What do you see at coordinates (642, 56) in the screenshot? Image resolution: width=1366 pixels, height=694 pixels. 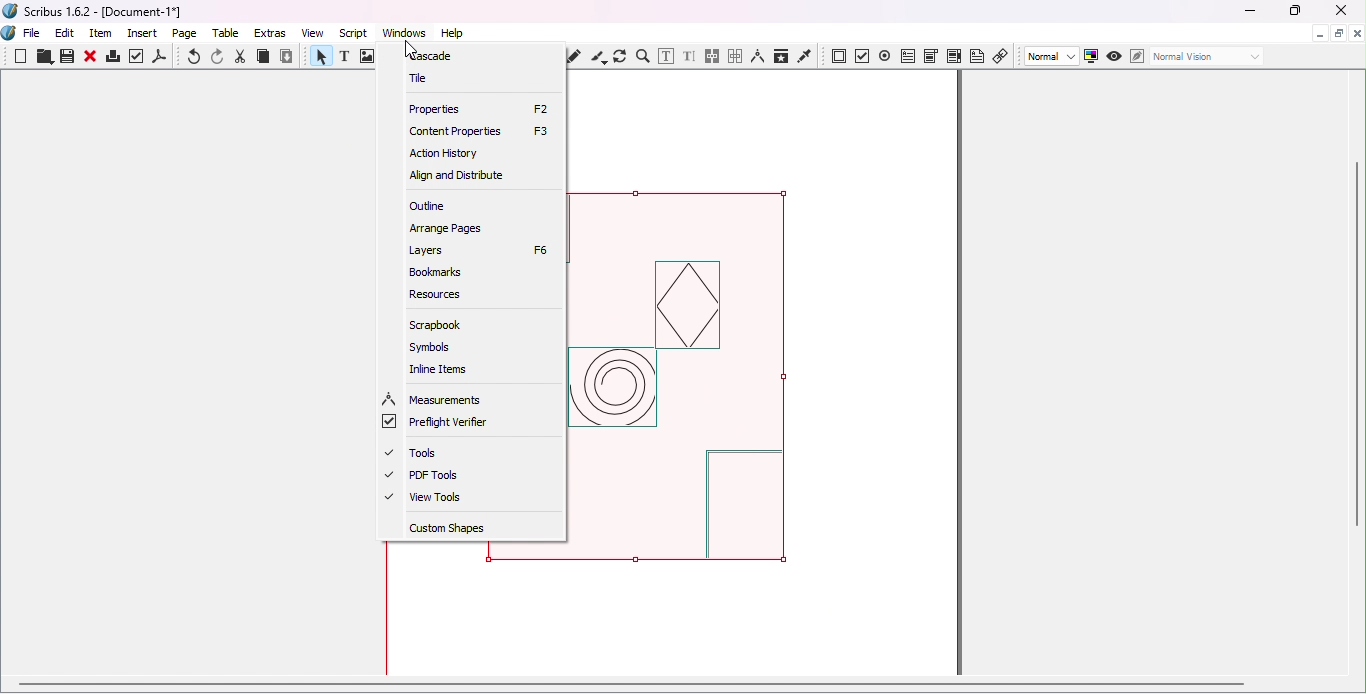 I see `Zoom in or out` at bounding box center [642, 56].